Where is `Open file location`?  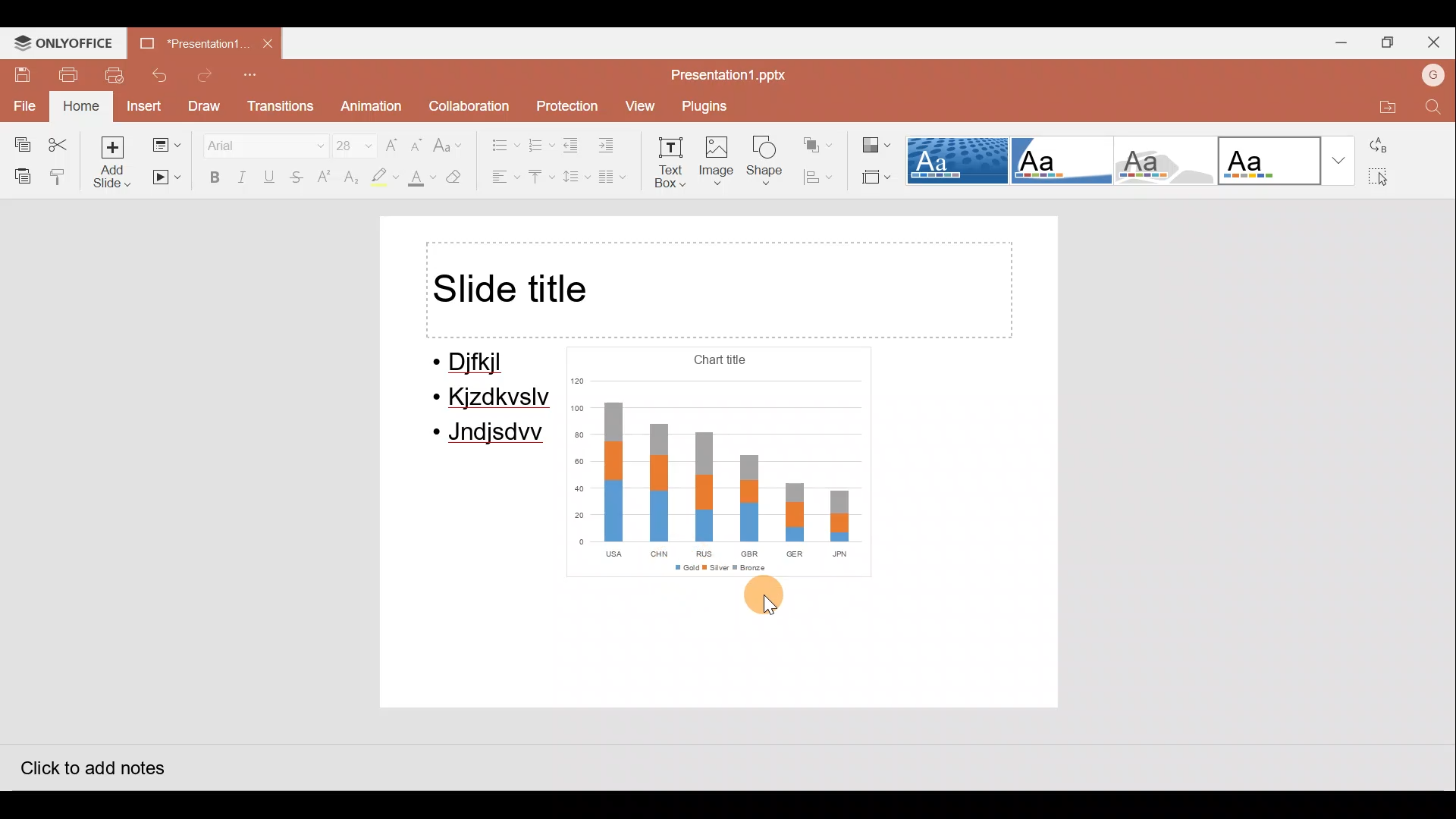 Open file location is located at coordinates (1382, 104).